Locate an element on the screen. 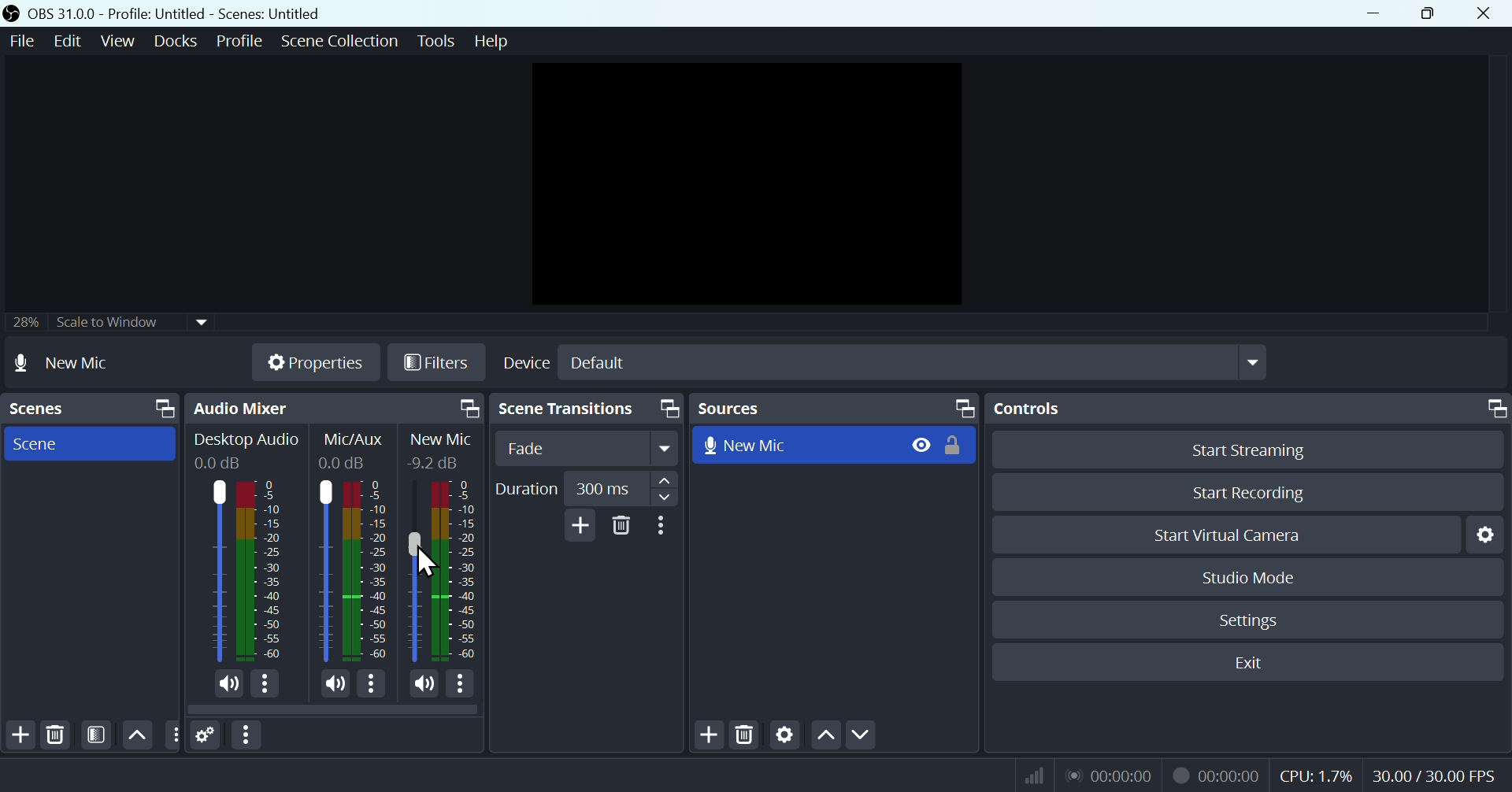  Mic/Aux is located at coordinates (366, 570).